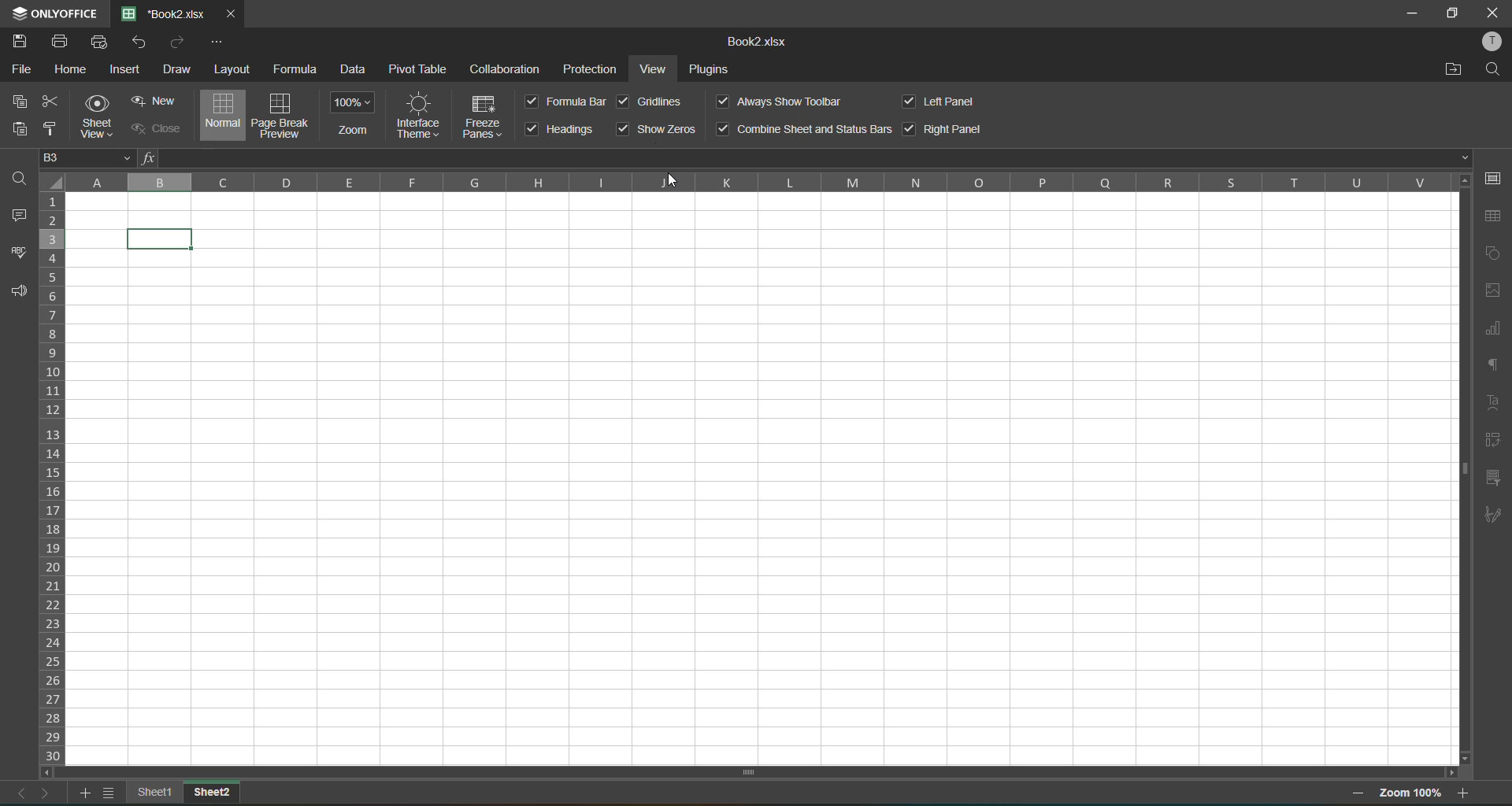  Describe the element at coordinates (1457, 68) in the screenshot. I see `open location` at that location.